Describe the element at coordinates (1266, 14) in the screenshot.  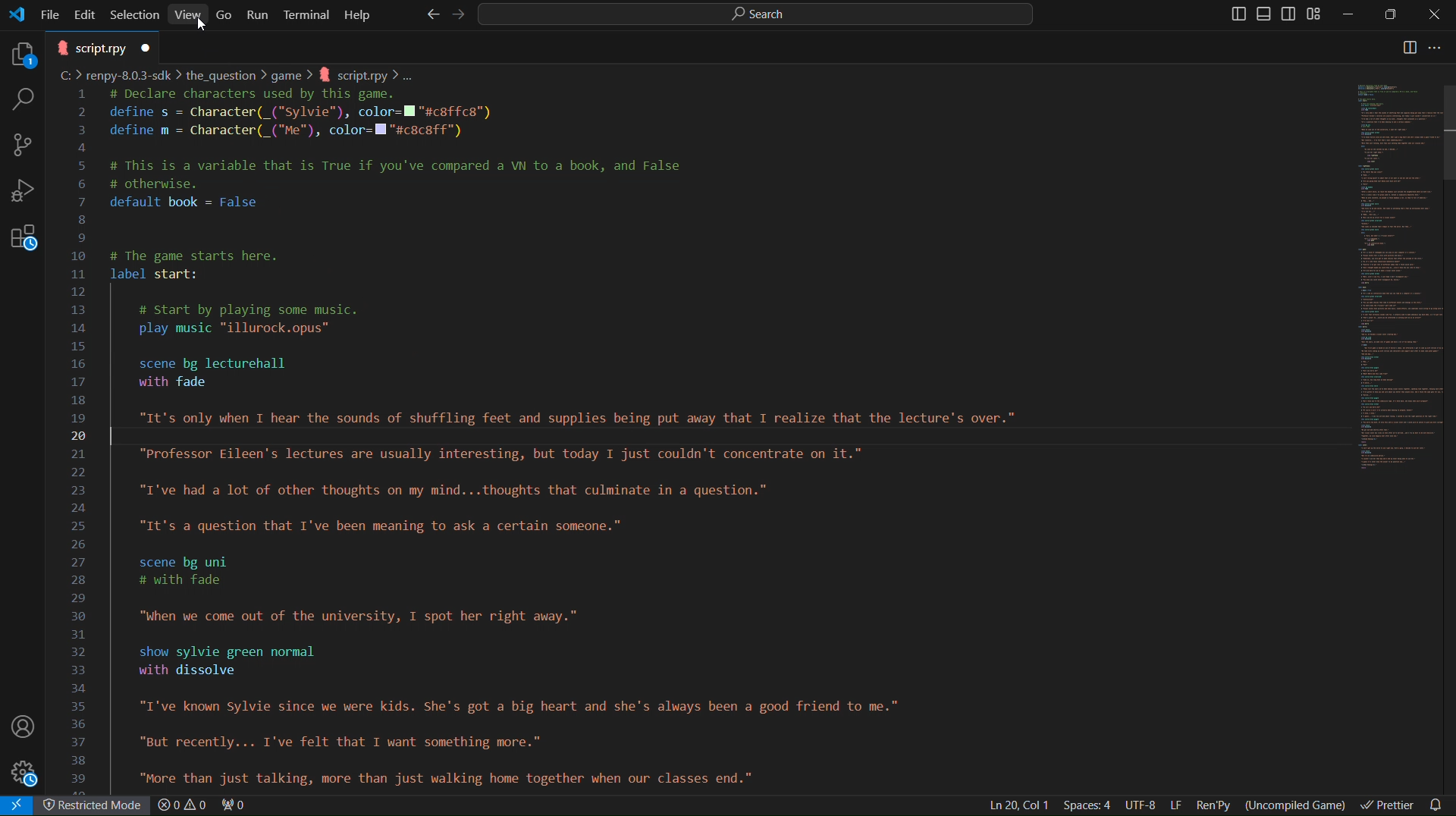
I see `Toggle Panel` at that location.